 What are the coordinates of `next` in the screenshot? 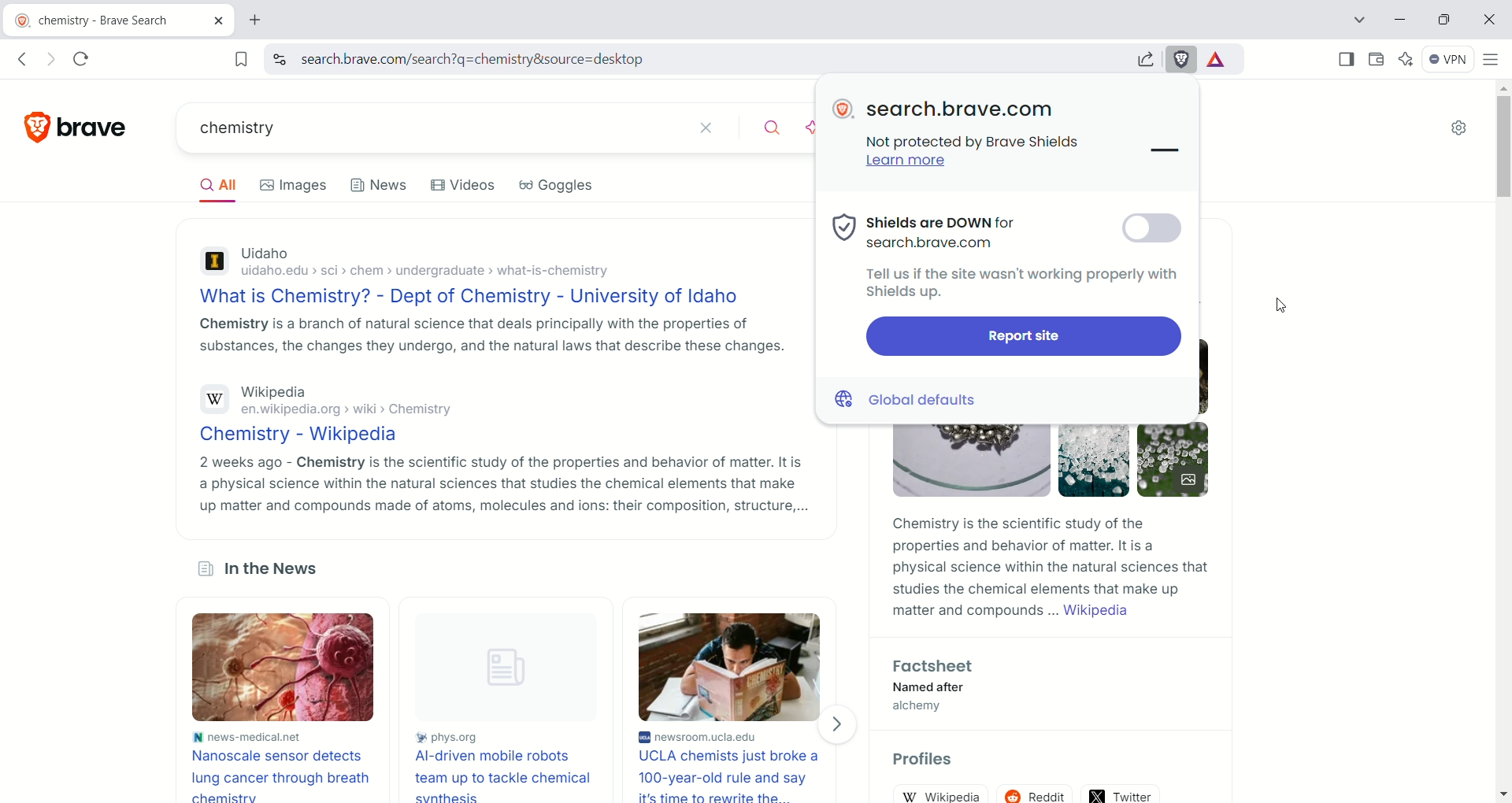 It's located at (841, 724).